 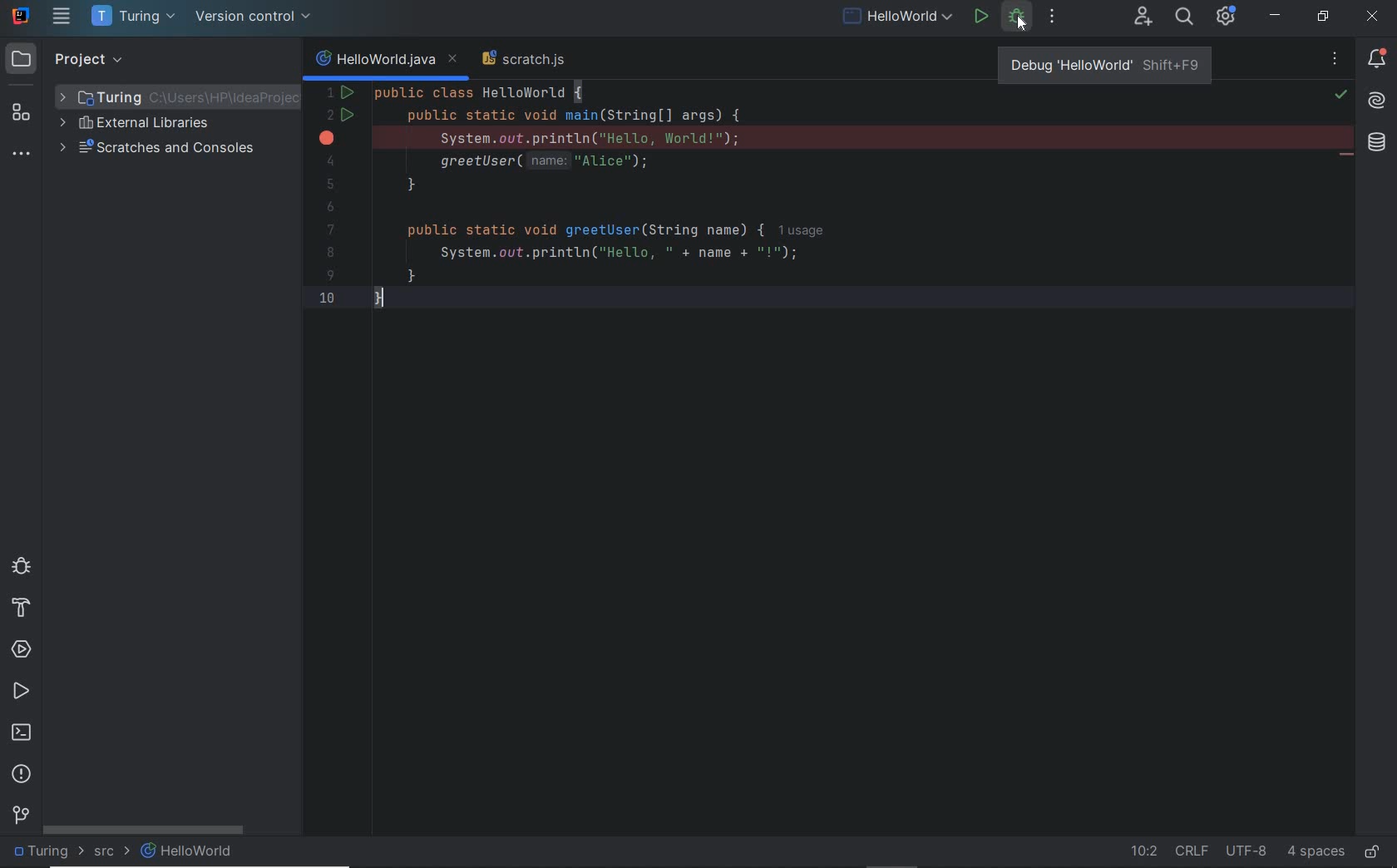 What do you see at coordinates (21, 16) in the screenshot?
I see `system name` at bounding box center [21, 16].